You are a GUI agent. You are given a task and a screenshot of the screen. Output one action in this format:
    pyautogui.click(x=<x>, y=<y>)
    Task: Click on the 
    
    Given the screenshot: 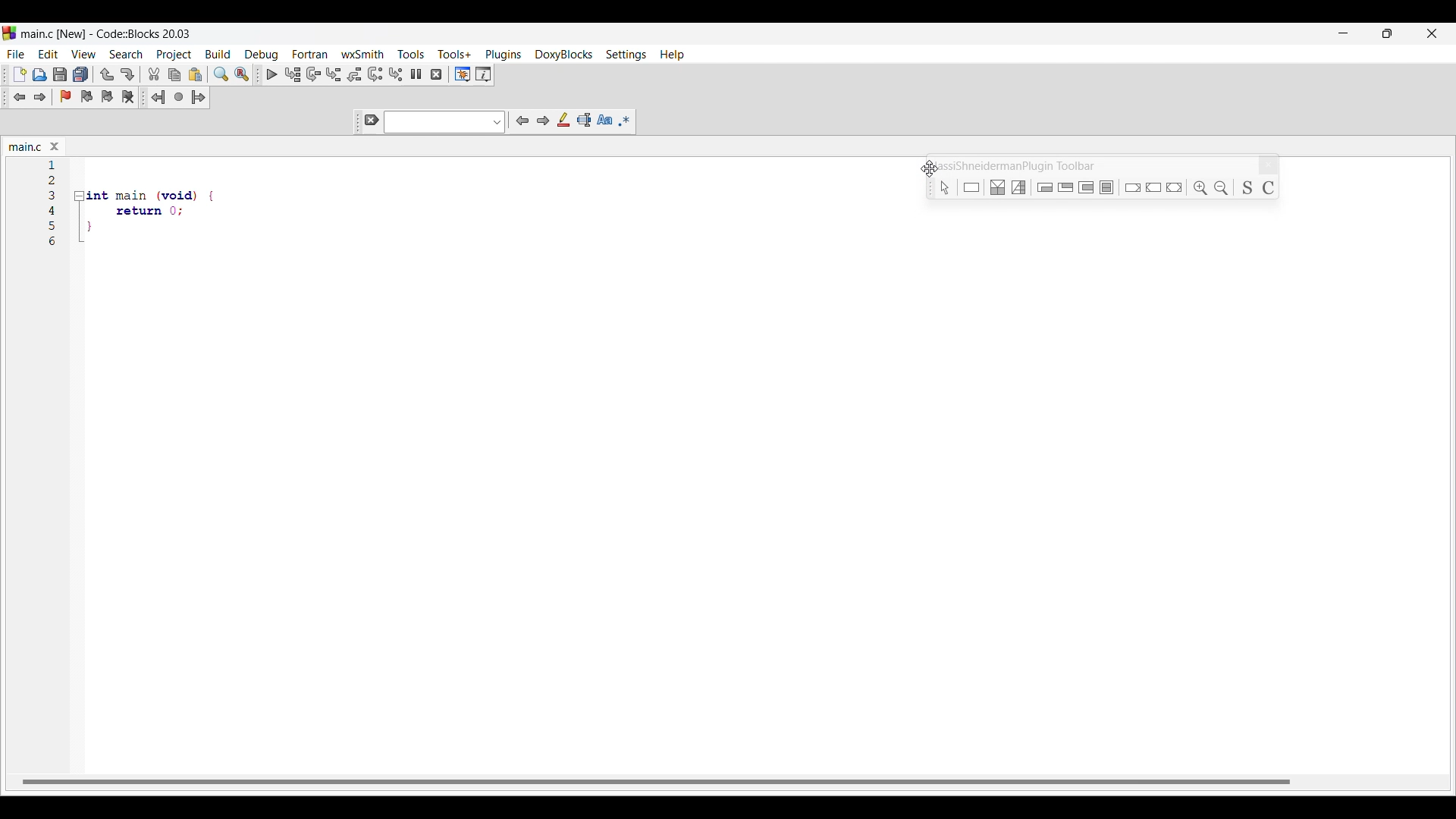 What is the action you would take?
    pyautogui.click(x=1021, y=186)
    